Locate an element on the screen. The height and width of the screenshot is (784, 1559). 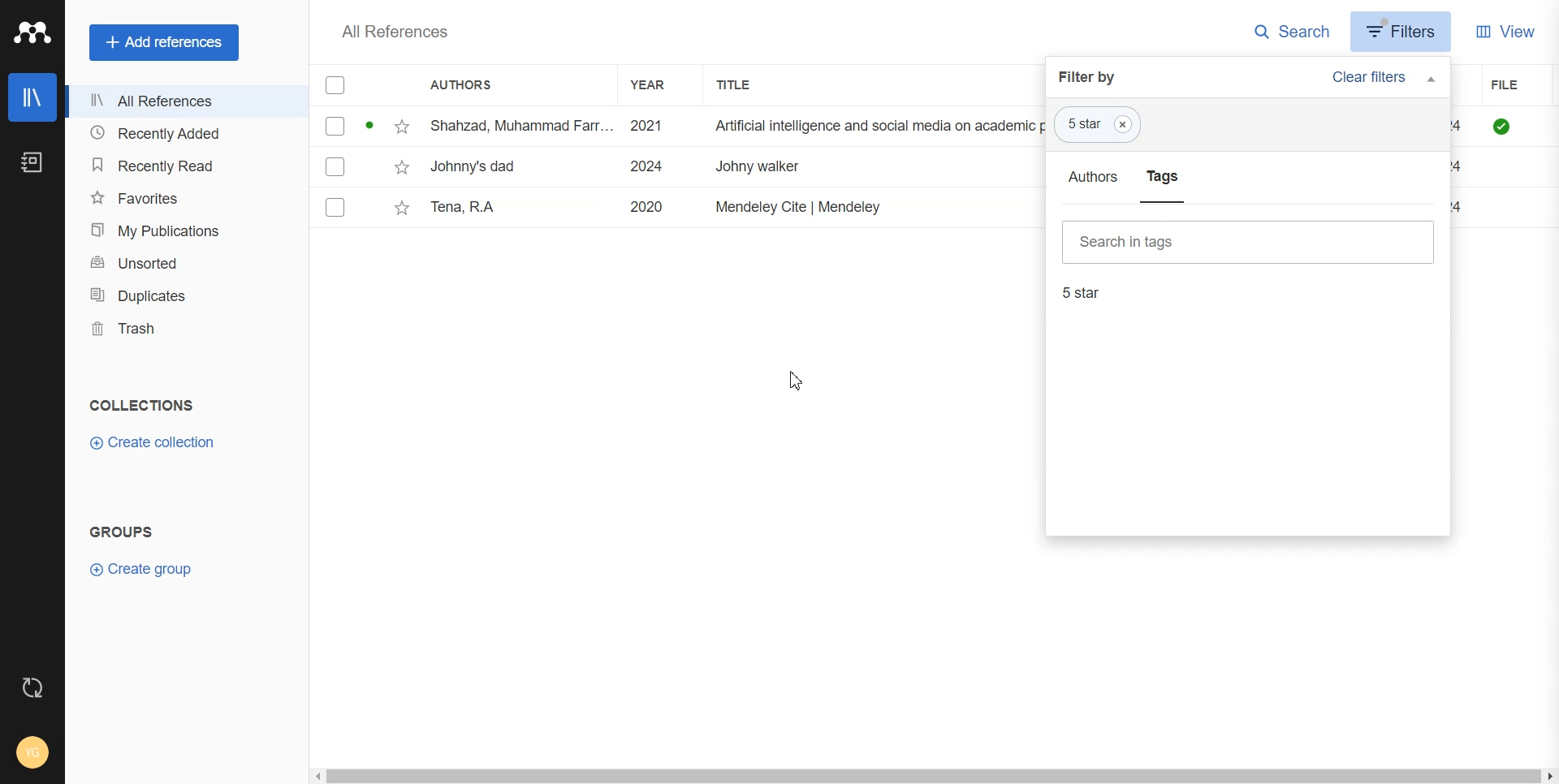
Account is located at coordinates (32, 754).